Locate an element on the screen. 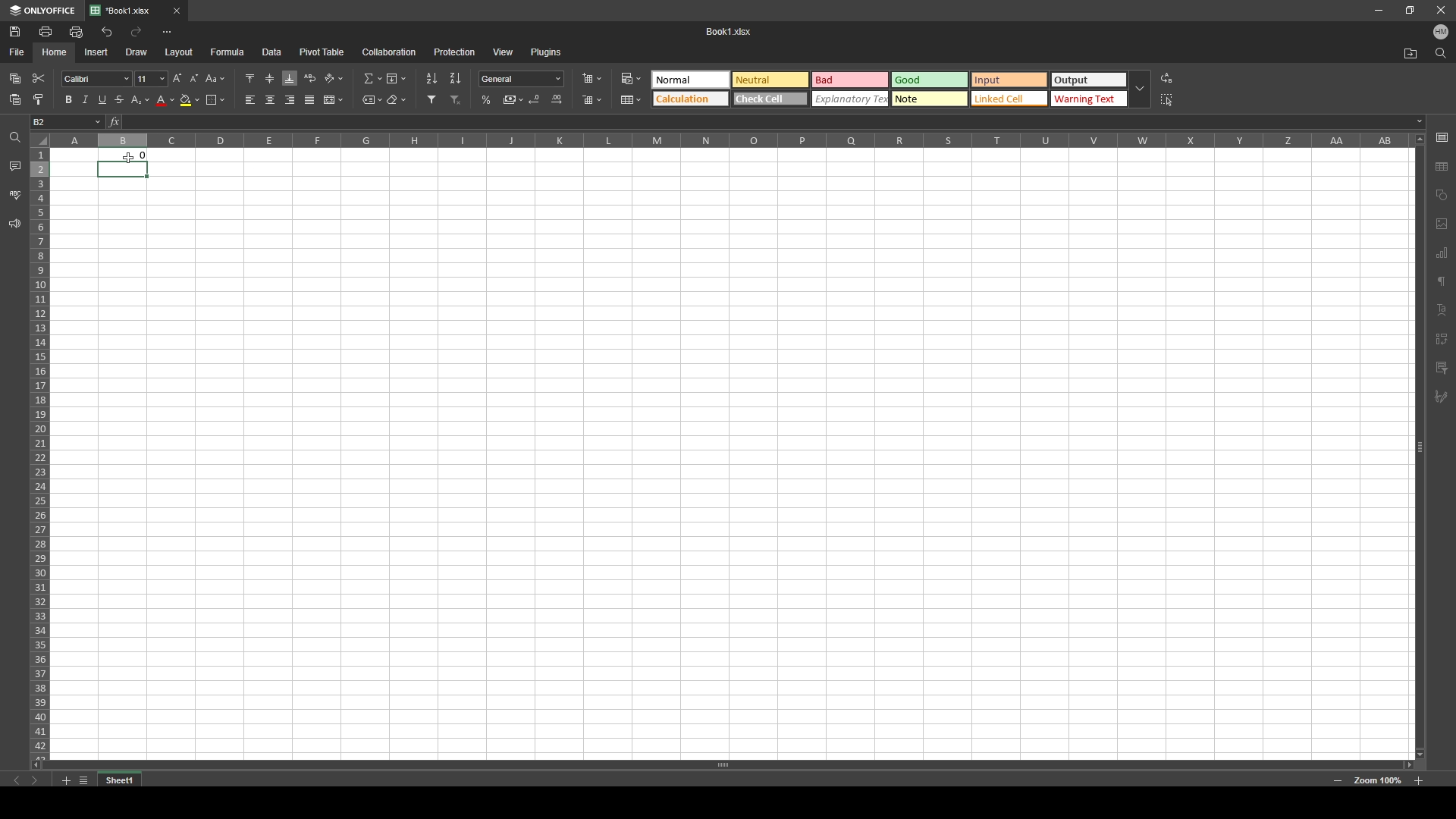  next is located at coordinates (34, 780).